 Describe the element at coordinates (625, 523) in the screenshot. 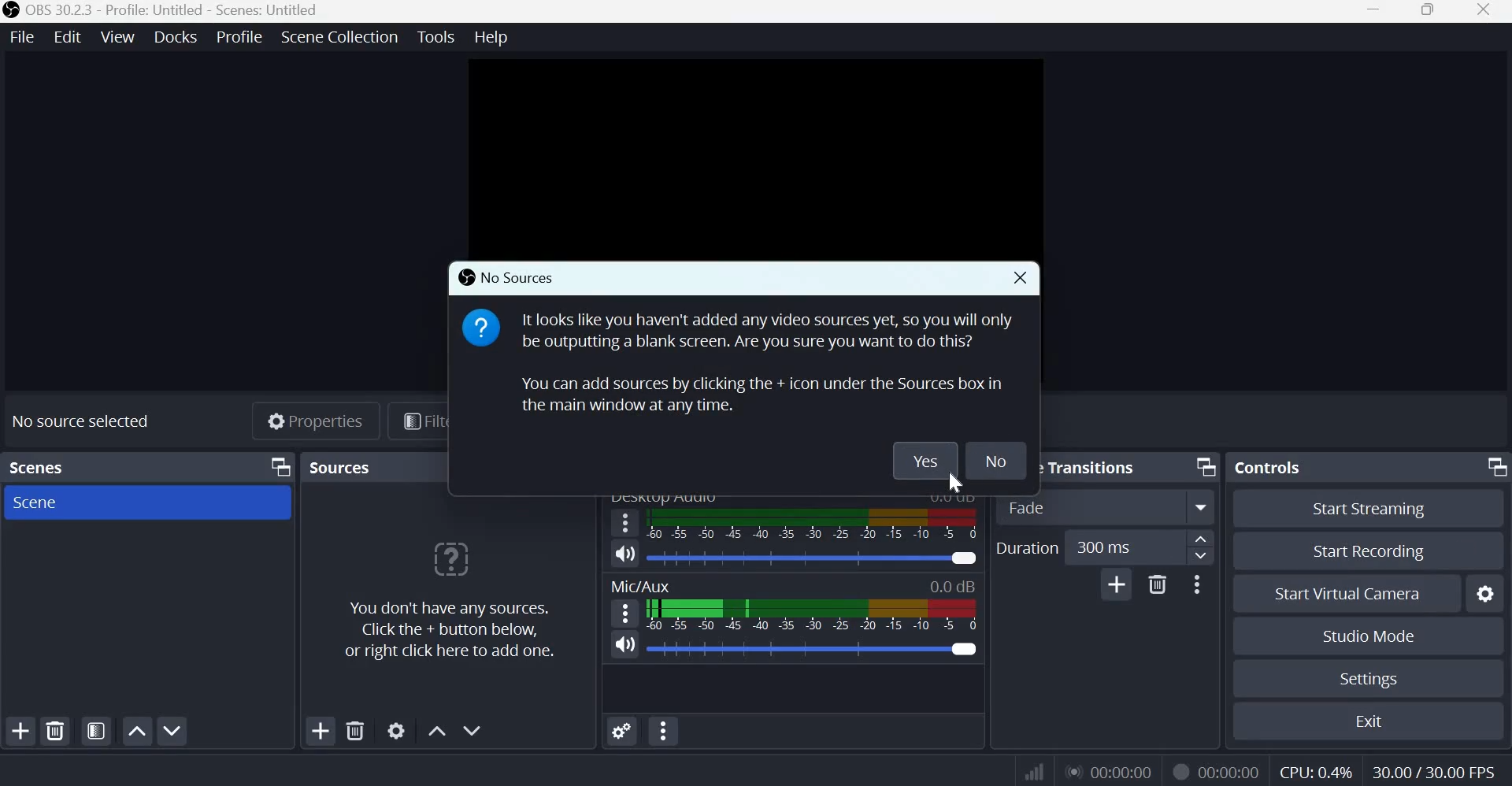

I see `Hamburger menu` at that location.